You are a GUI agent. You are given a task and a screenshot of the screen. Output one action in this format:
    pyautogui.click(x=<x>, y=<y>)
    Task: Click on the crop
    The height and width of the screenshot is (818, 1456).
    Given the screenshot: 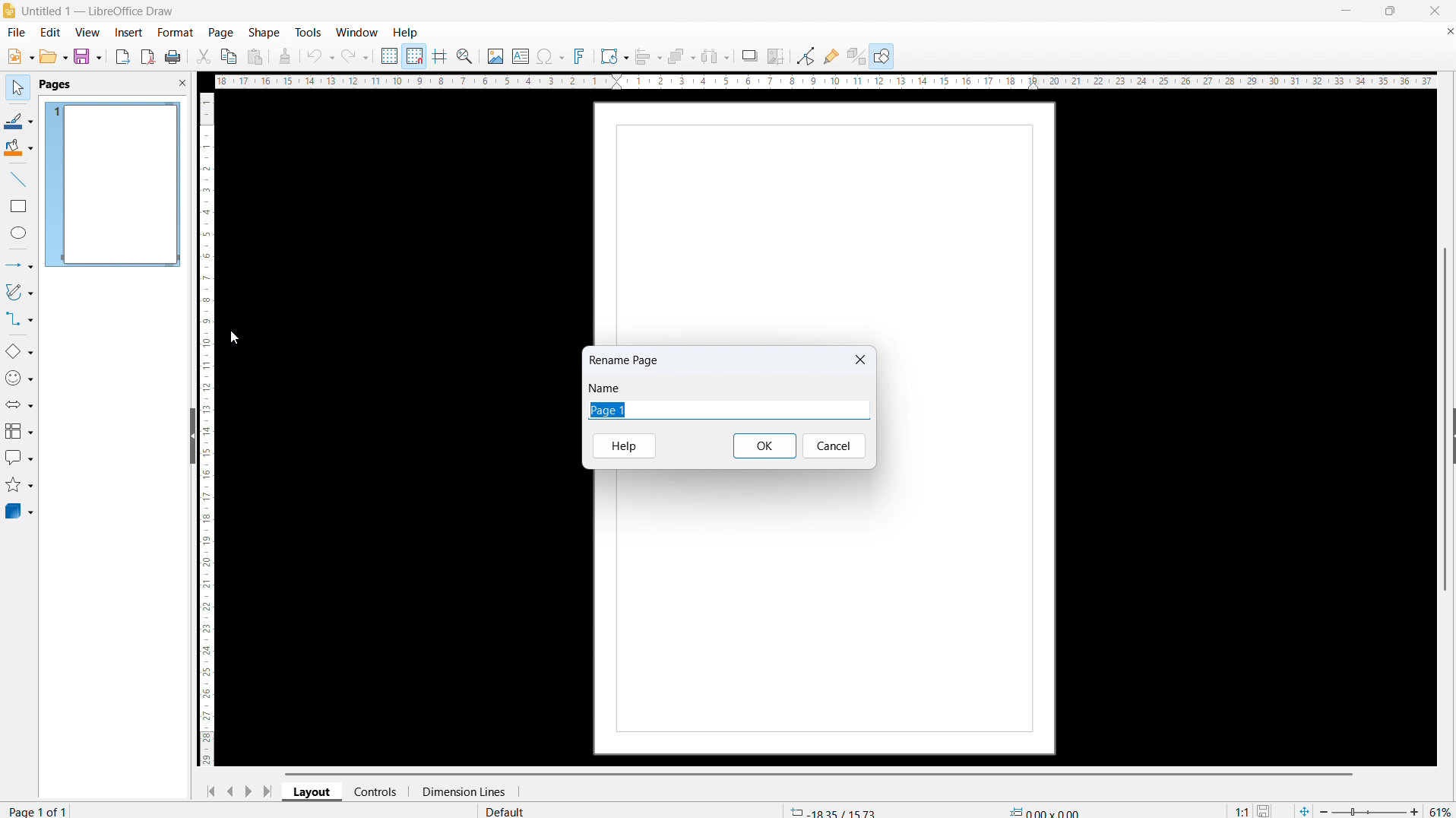 What is the action you would take?
    pyautogui.click(x=777, y=55)
    